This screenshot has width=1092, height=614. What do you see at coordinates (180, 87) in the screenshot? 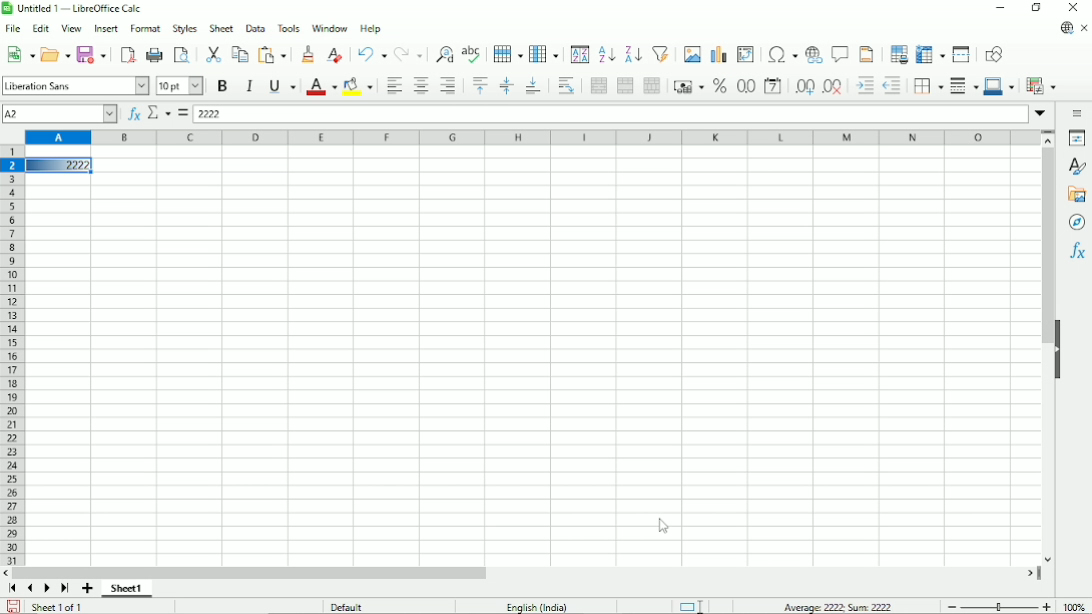
I see `Font size` at bounding box center [180, 87].